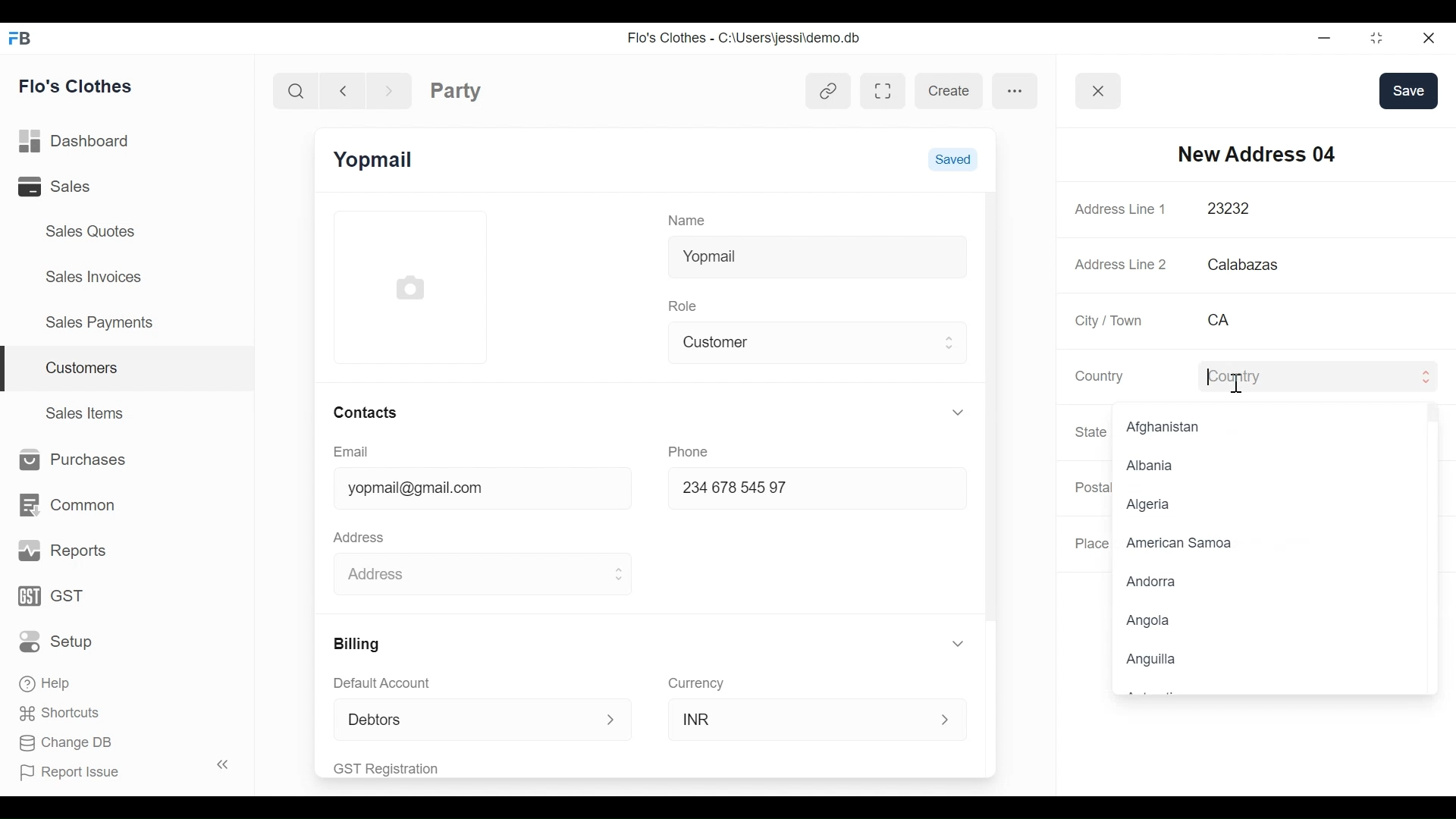 Image resolution: width=1456 pixels, height=819 pixels. What do you see at coordinates (1097, 375) in the screenshot?
I see `Country` at bounding box center [1097, 375].